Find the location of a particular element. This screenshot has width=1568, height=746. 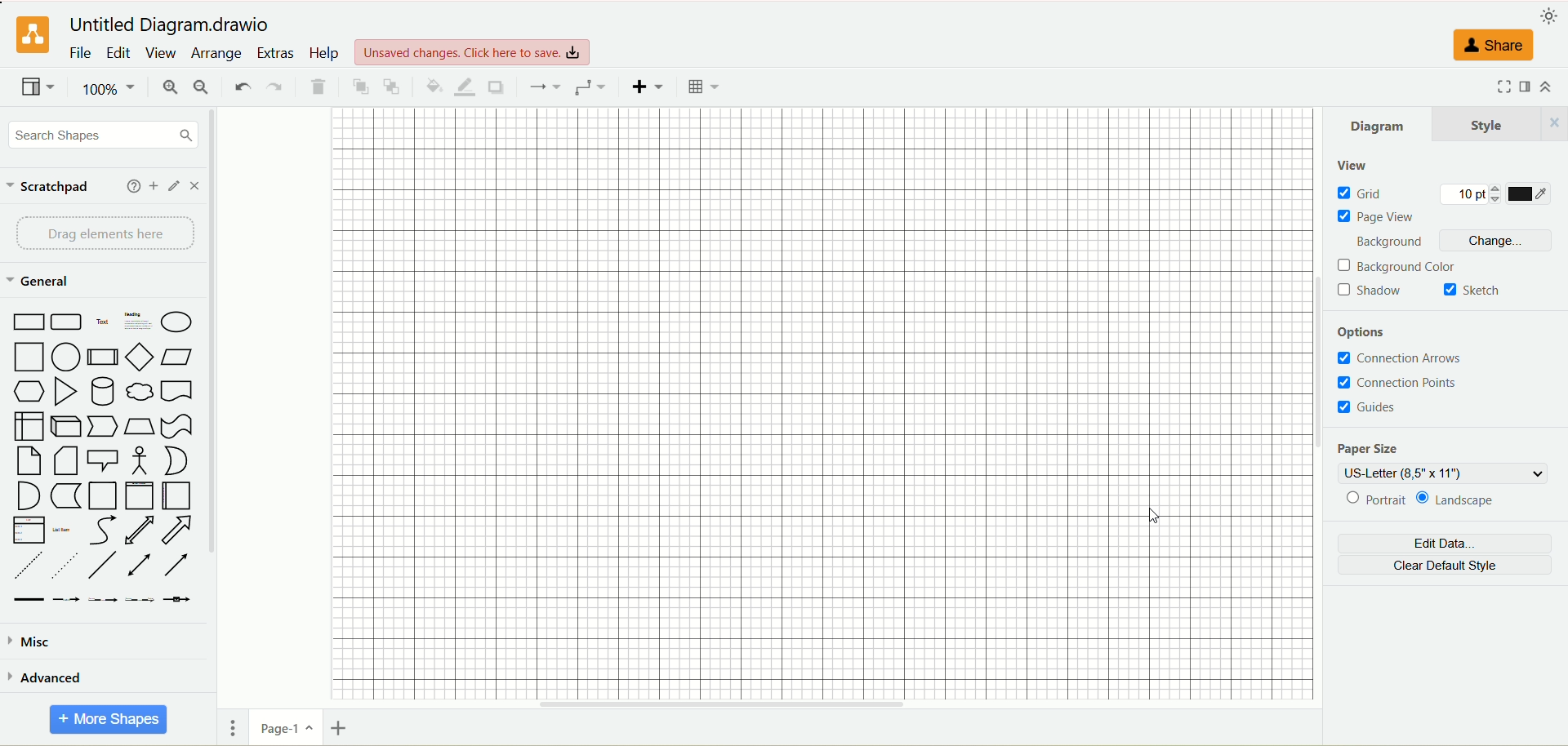

misc is located at coordinates (35, 642).